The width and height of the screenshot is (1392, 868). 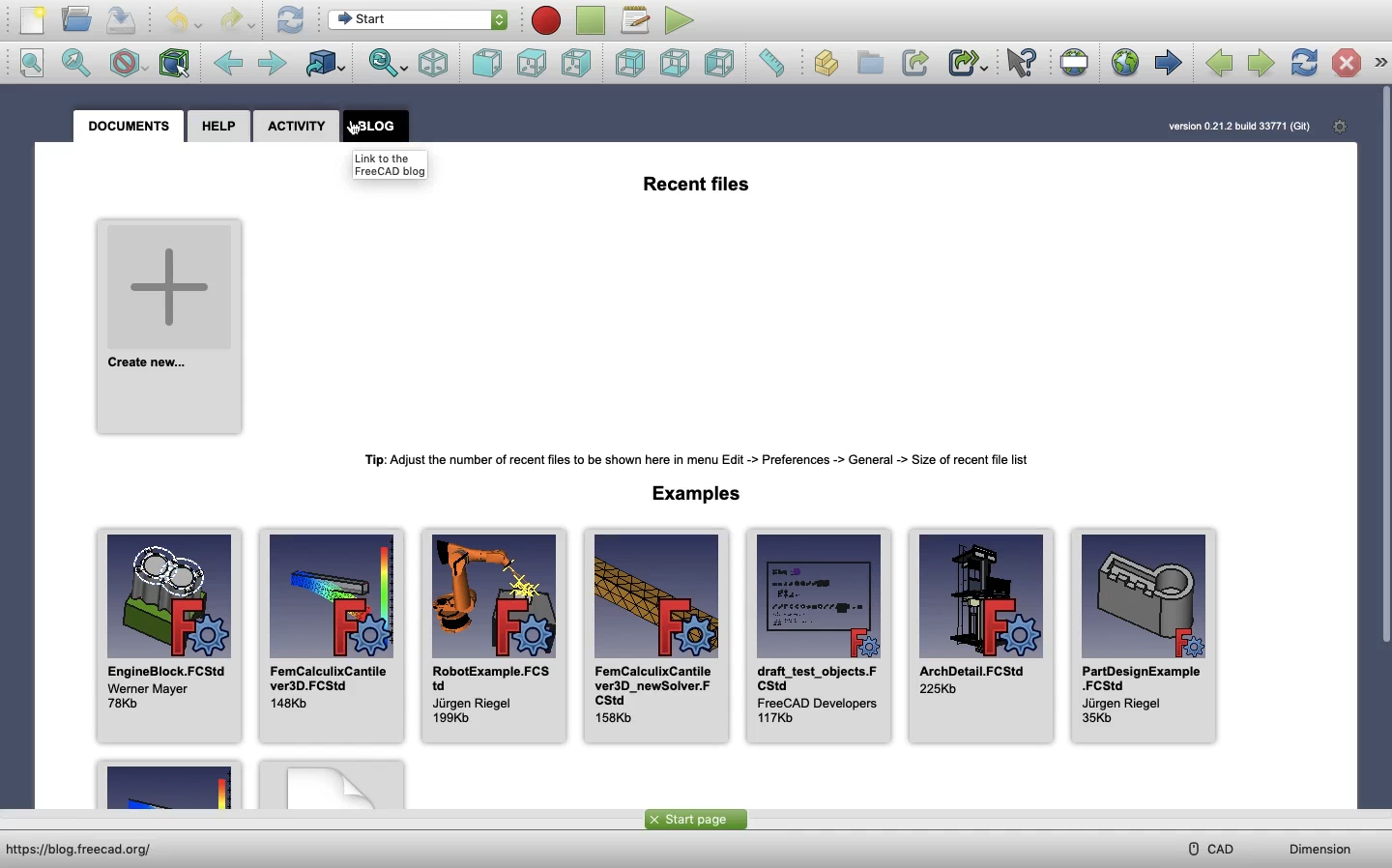 I want to click on Right, so click(x=721, y=63).